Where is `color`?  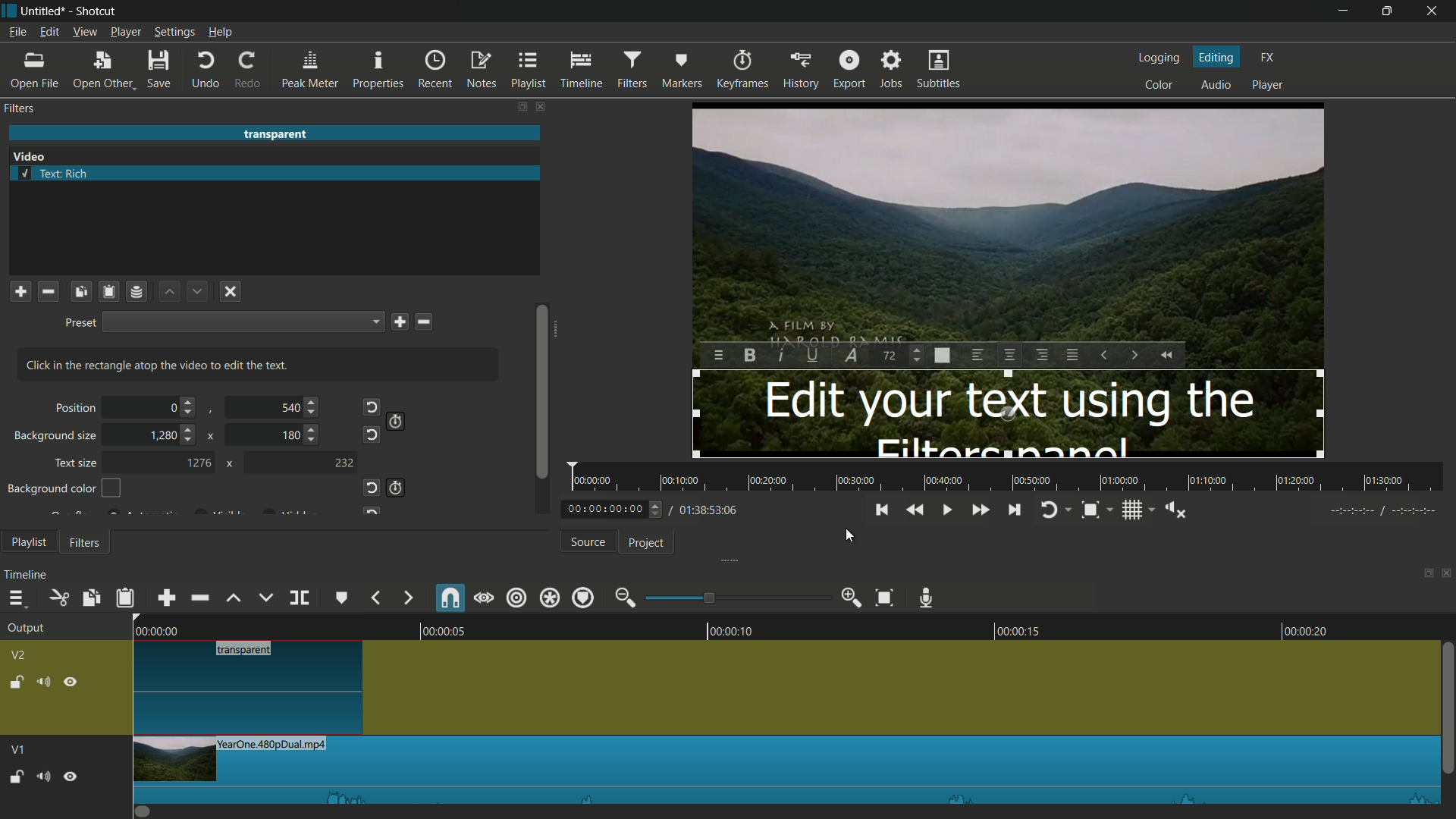
color is located at coordinates (1162, 86).